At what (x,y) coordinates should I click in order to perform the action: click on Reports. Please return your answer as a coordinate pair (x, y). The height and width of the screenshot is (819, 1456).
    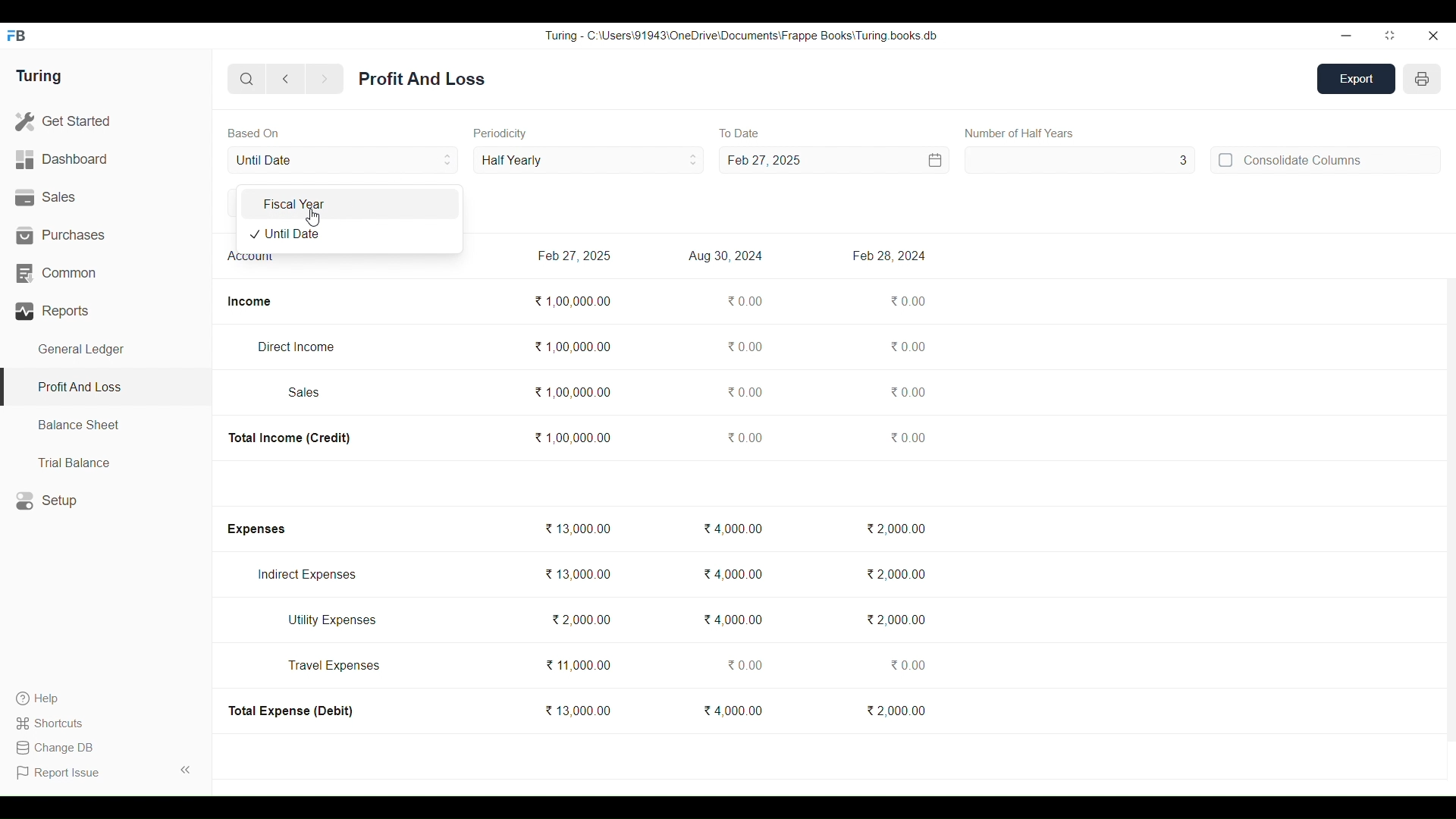
    Looking at the image, I should click on (106, 311).